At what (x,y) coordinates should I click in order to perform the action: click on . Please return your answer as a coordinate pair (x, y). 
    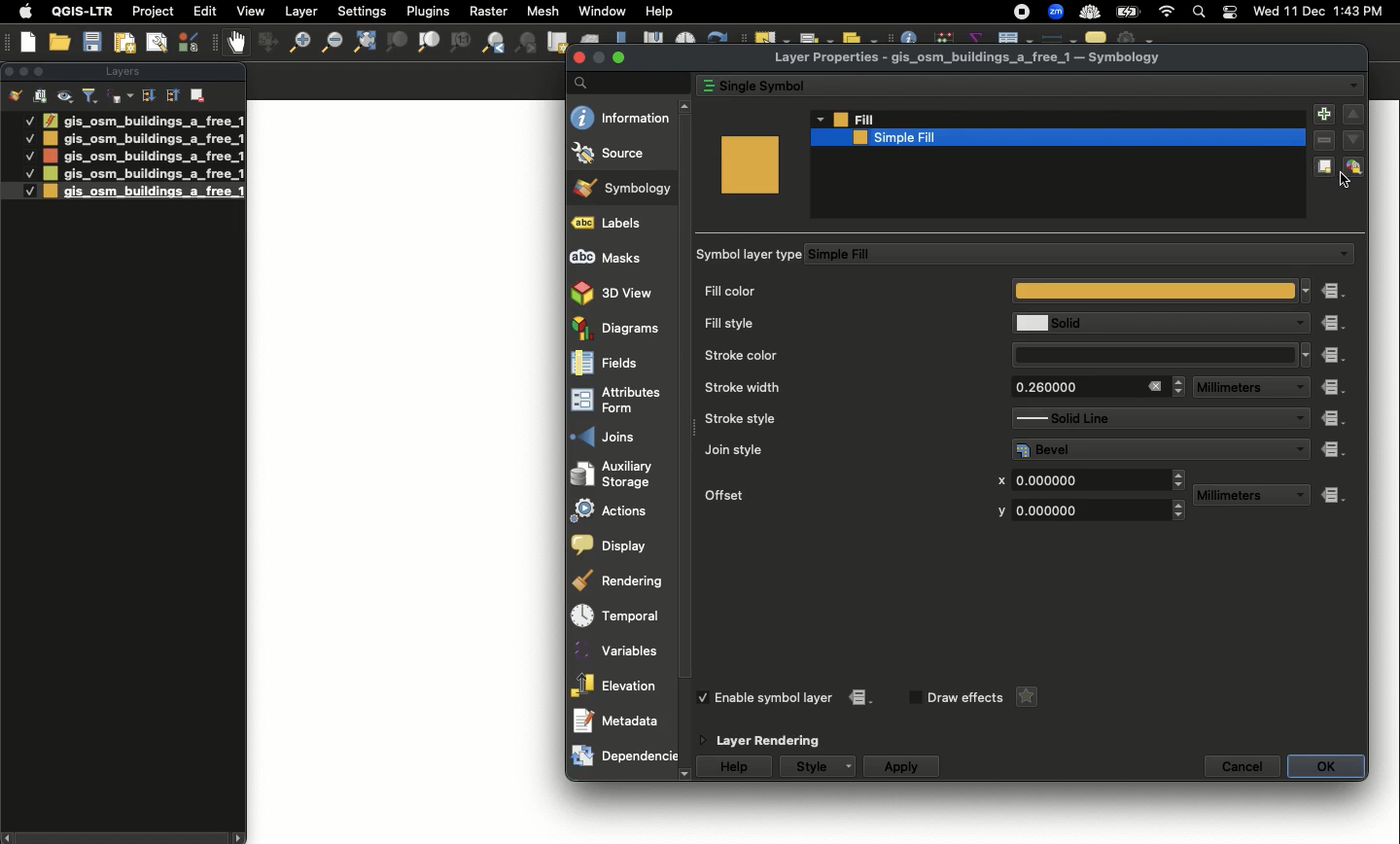
    Looking at the image, I should click on (1335, 325).